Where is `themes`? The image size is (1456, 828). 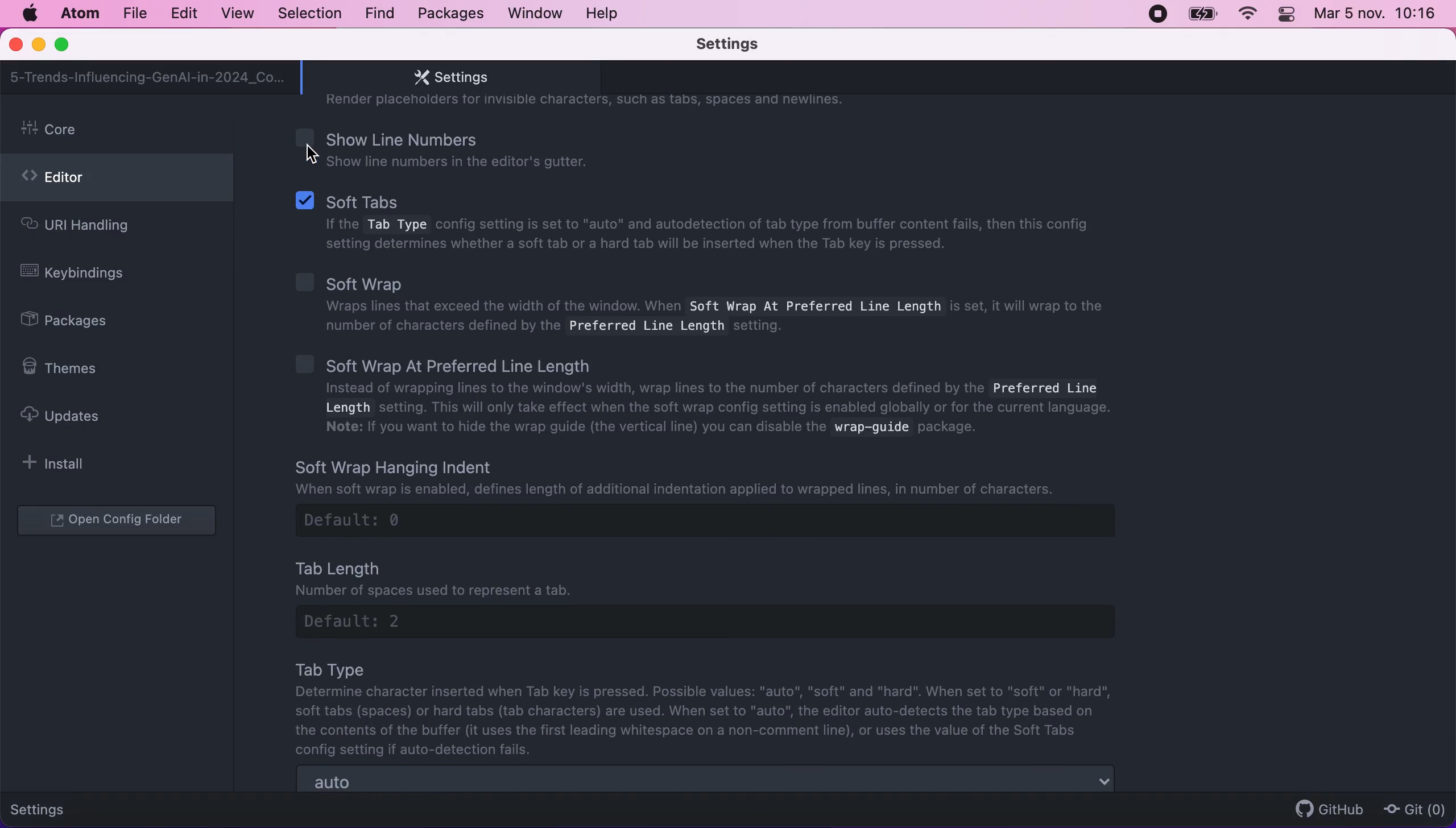
themes is located at coordinates (67, 368).